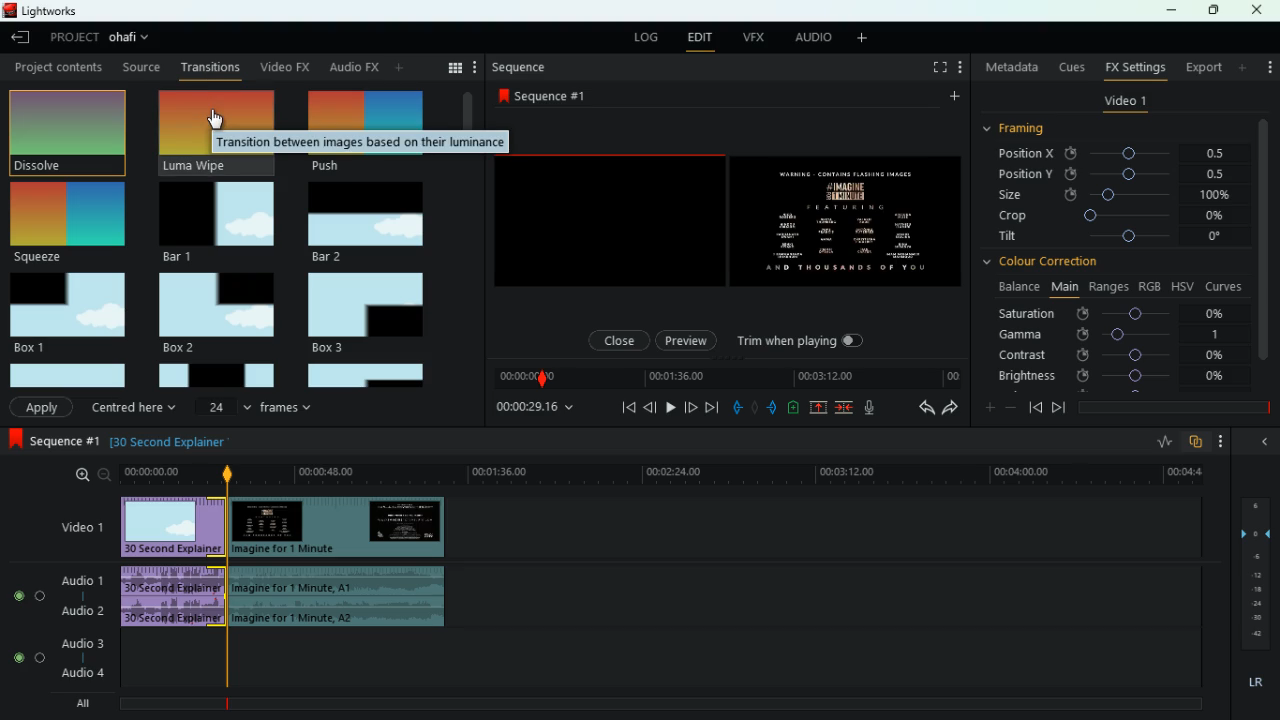 Image resolution: width=1280 pixels, height=720 pixels. I want to click on more, so click(400, 67).